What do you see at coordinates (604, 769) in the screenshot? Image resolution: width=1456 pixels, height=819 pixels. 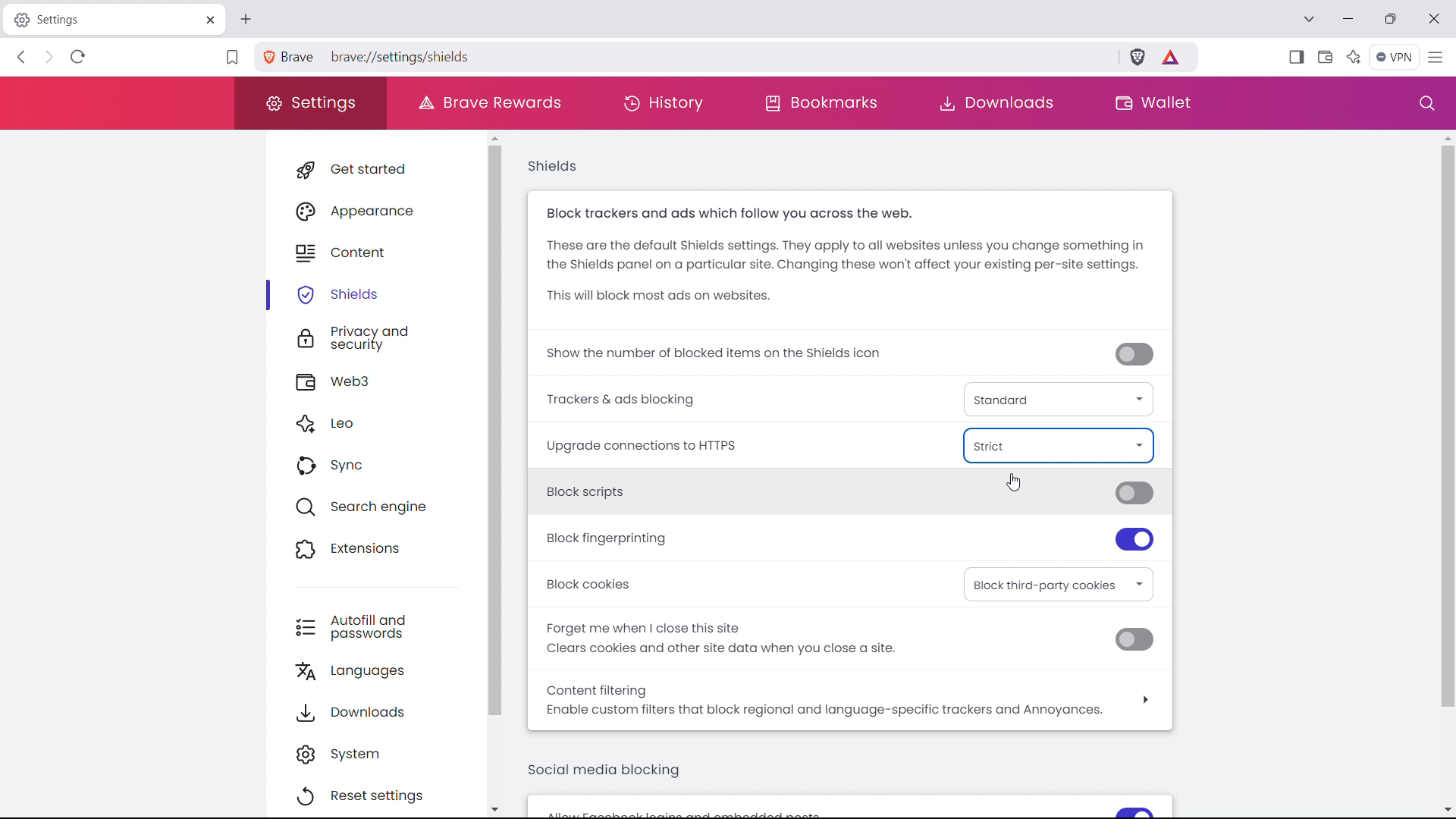 I see `social media blocking` at bounding box center [604, 769].